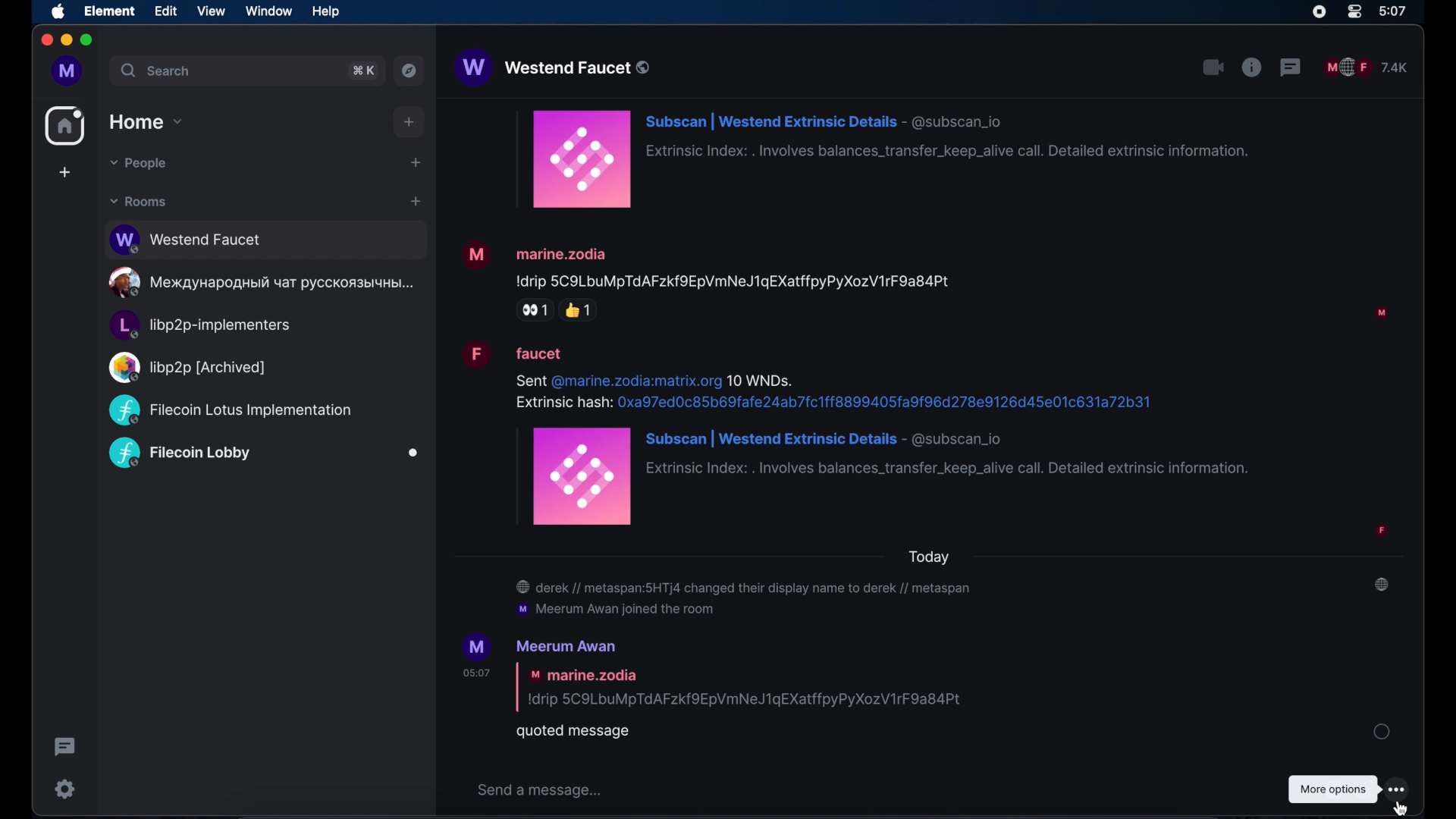 This screenshot has width=1456, height=819. Describe the element at coordinates (416, 202) in the screenshot. I see `add room` at that location.